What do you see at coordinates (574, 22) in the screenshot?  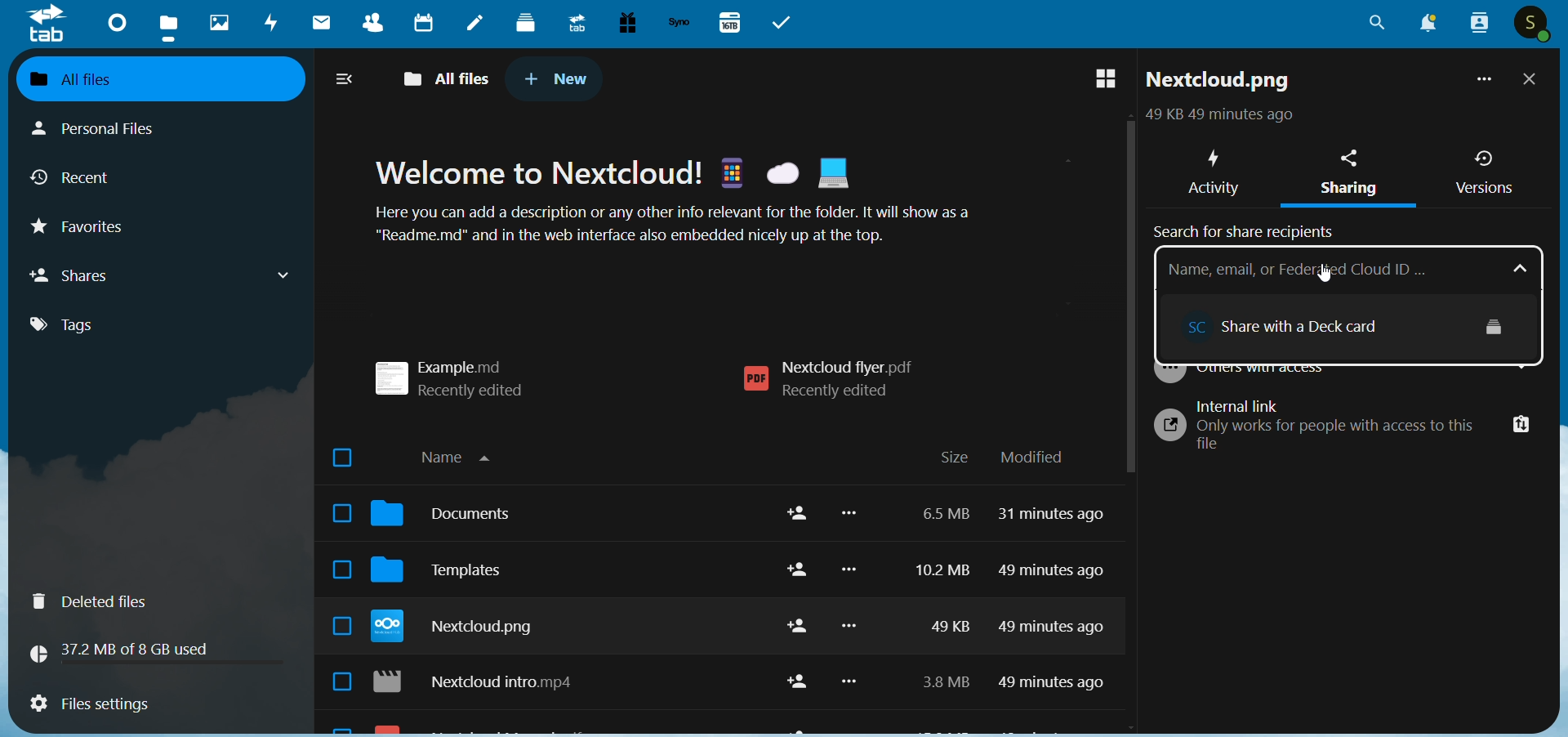 I see `upgrade` at bounding box center [574, 22].